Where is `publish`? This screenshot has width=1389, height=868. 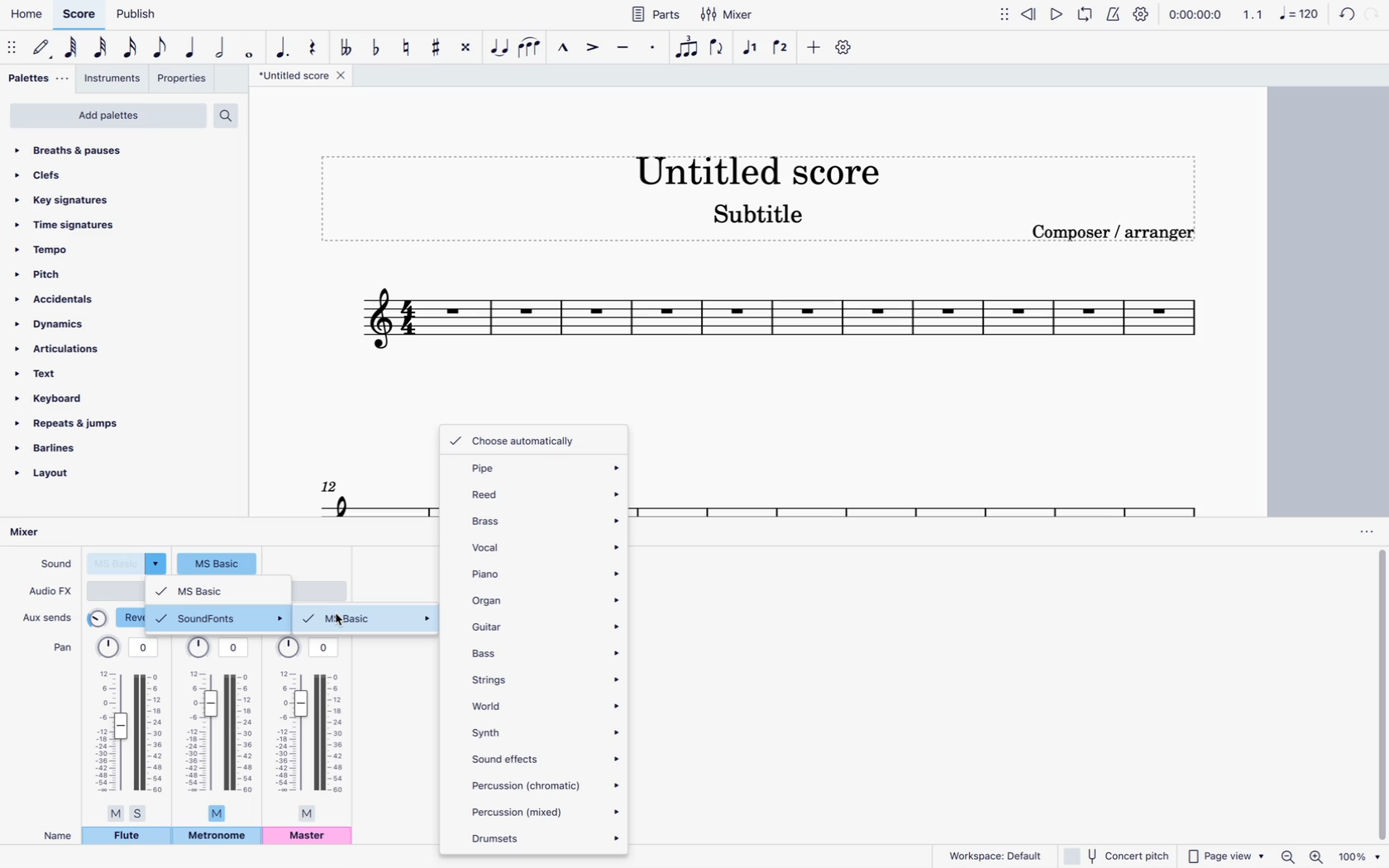 publish is located at coordinates (139, 13).